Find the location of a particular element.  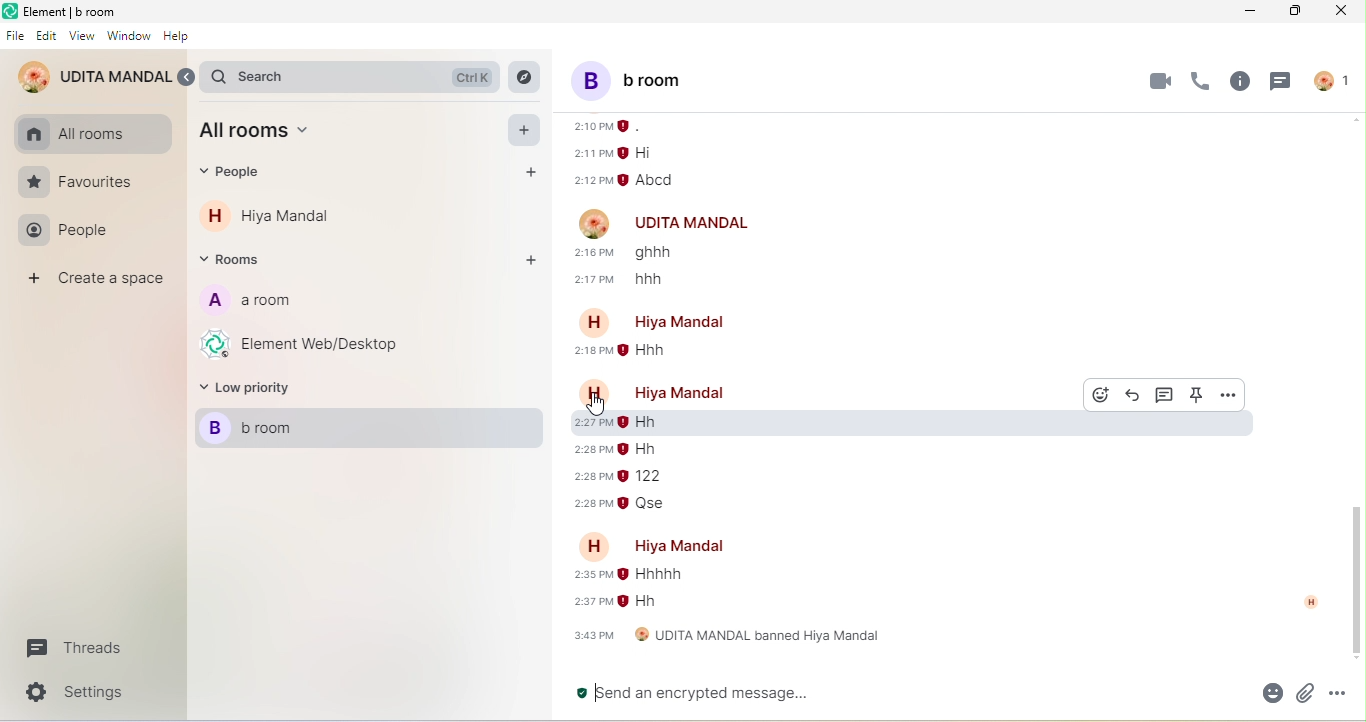

account is located at coordinates (1333, 84).